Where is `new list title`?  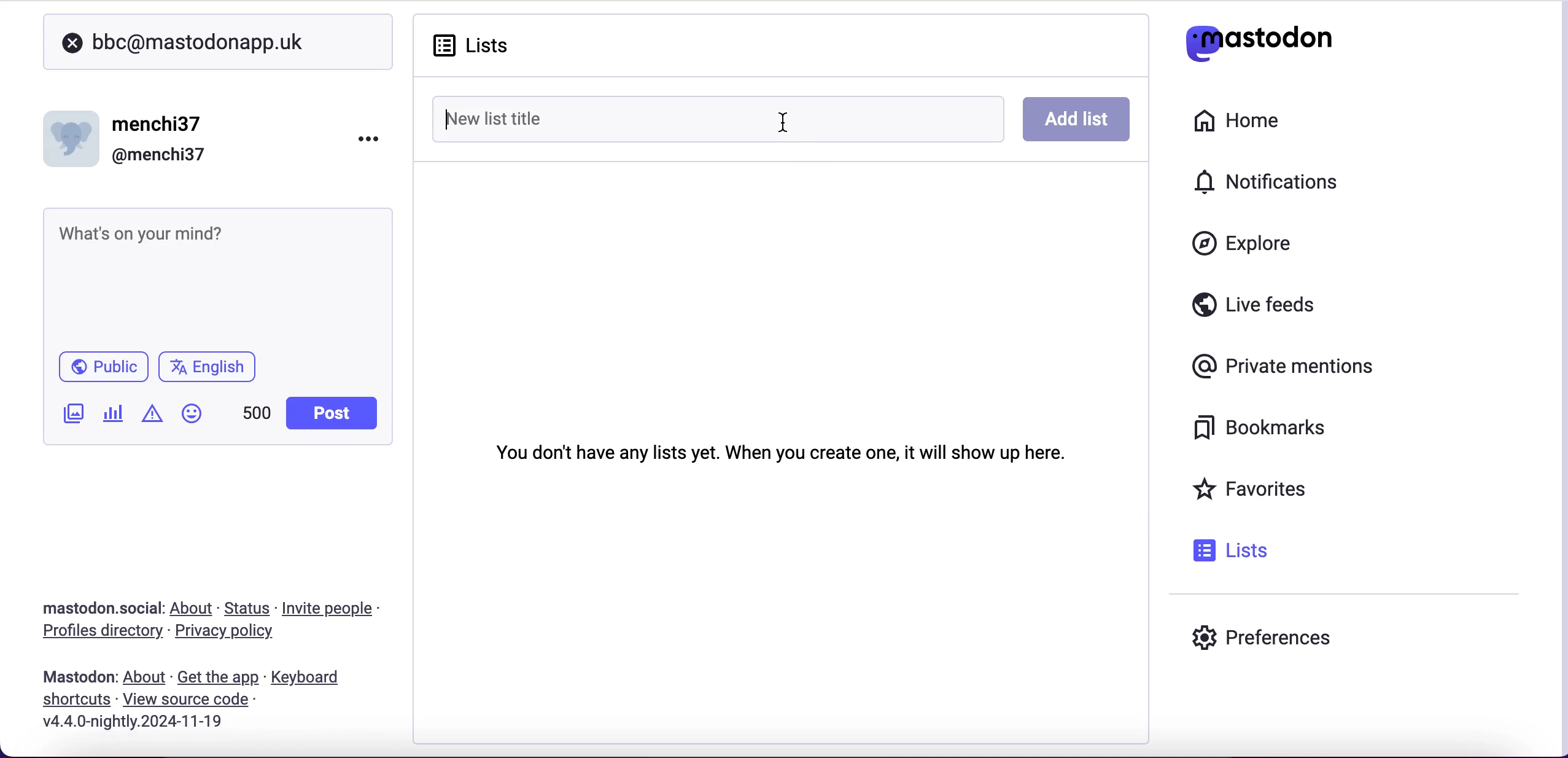
new list title is located at coordinates (592, 117).